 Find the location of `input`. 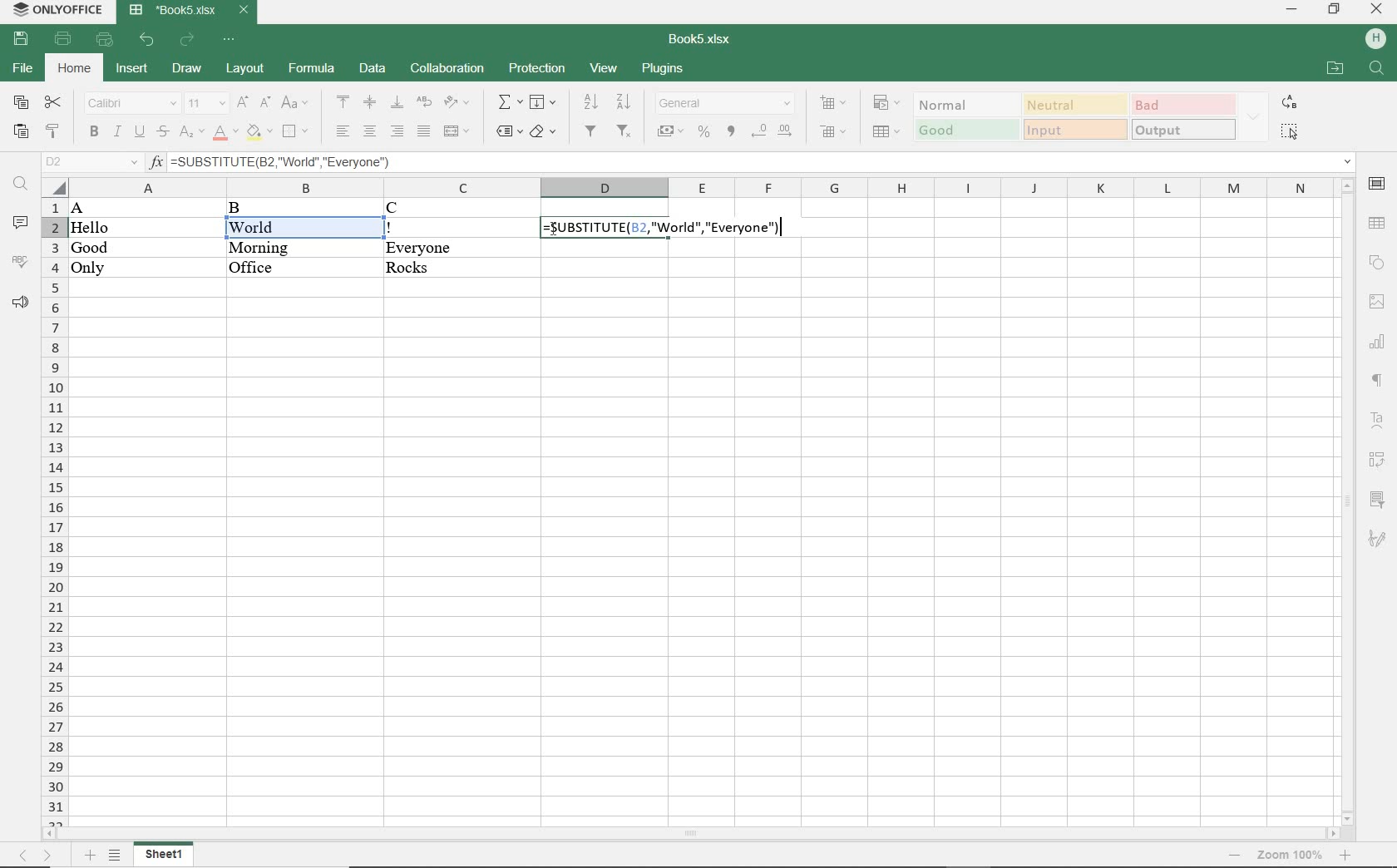

input is located at coordinates (1075, 130).